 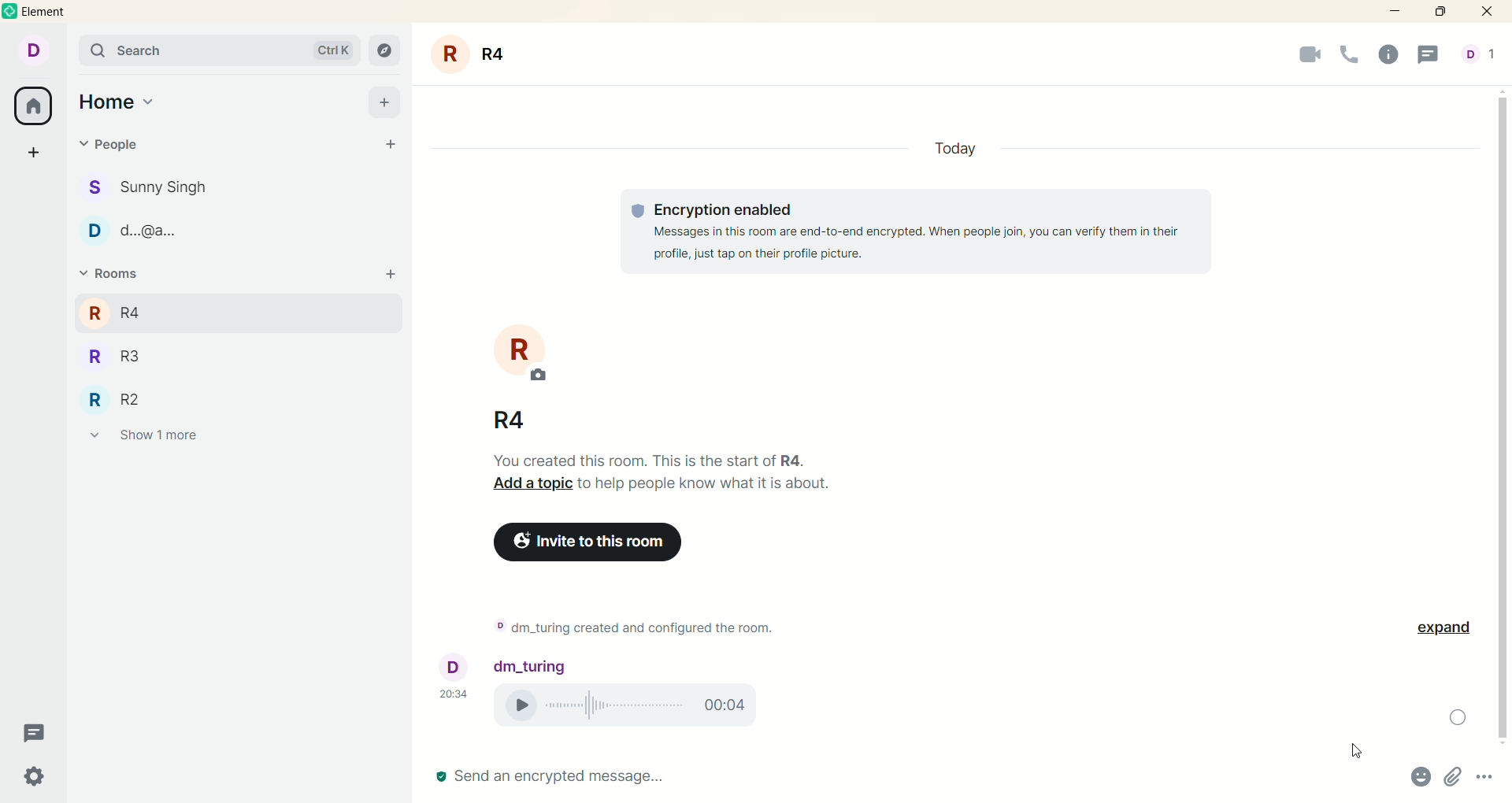 I want to click on maximize, so click(x=1445, y=13).